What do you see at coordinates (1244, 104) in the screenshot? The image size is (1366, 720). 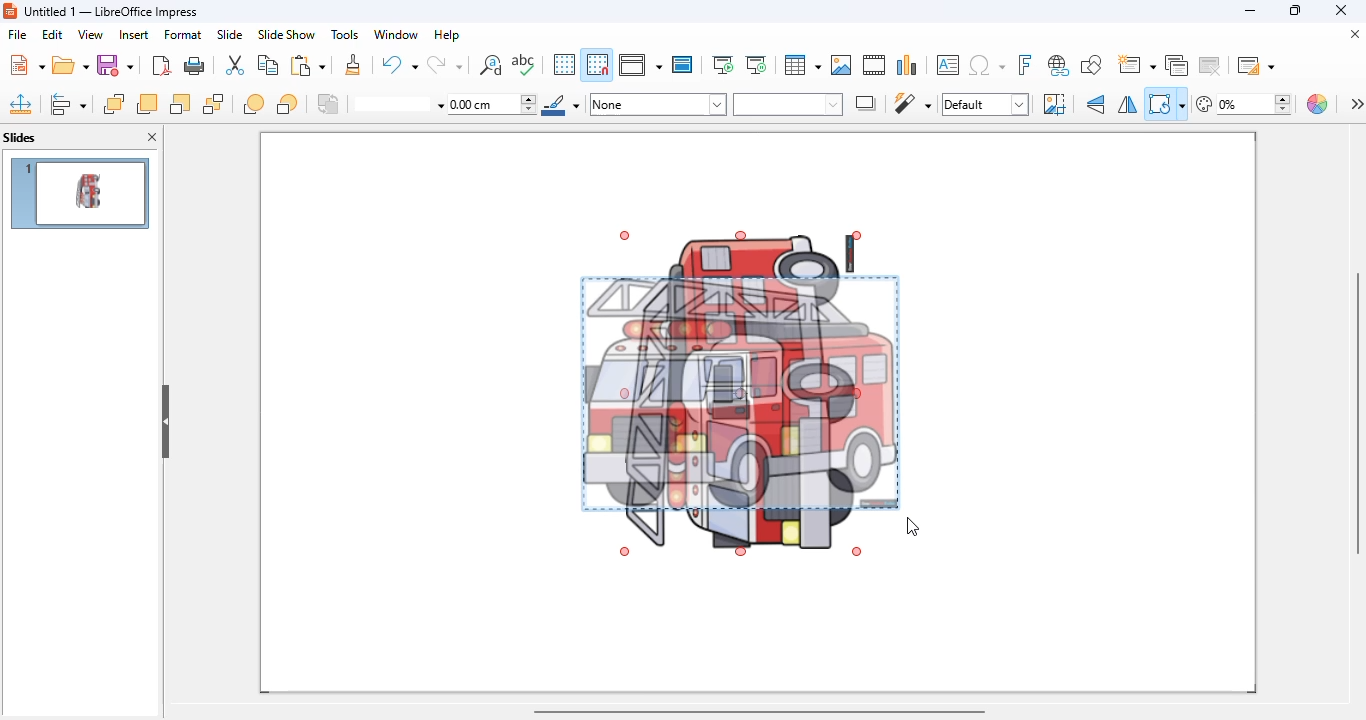 I see `transparency` at bounding box center [1244, 104].